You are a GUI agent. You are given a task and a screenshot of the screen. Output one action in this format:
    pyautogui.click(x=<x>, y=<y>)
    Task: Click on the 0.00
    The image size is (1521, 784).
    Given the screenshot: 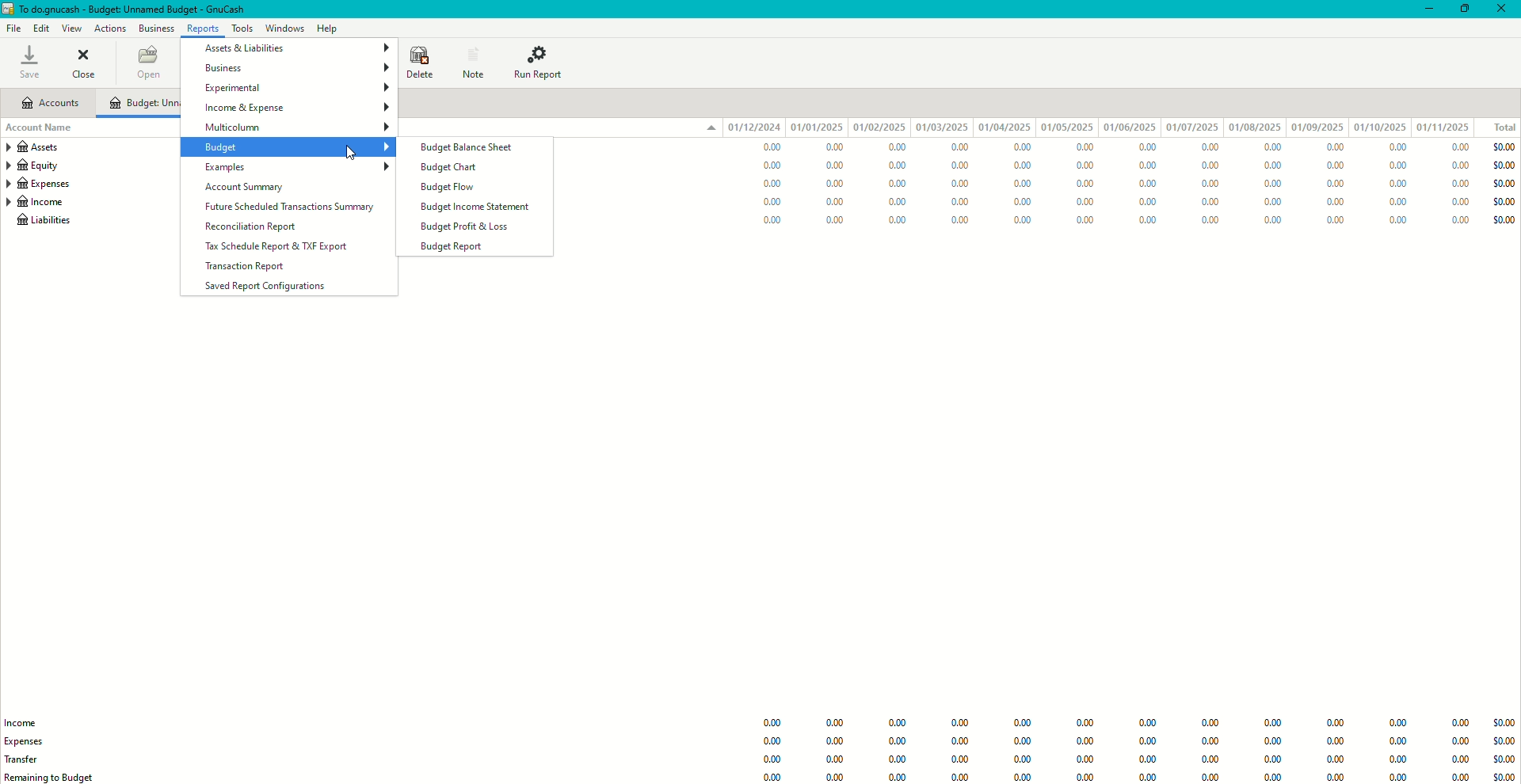 What is the action you would take?
    pyautogui.click(x=833, y=163)
    